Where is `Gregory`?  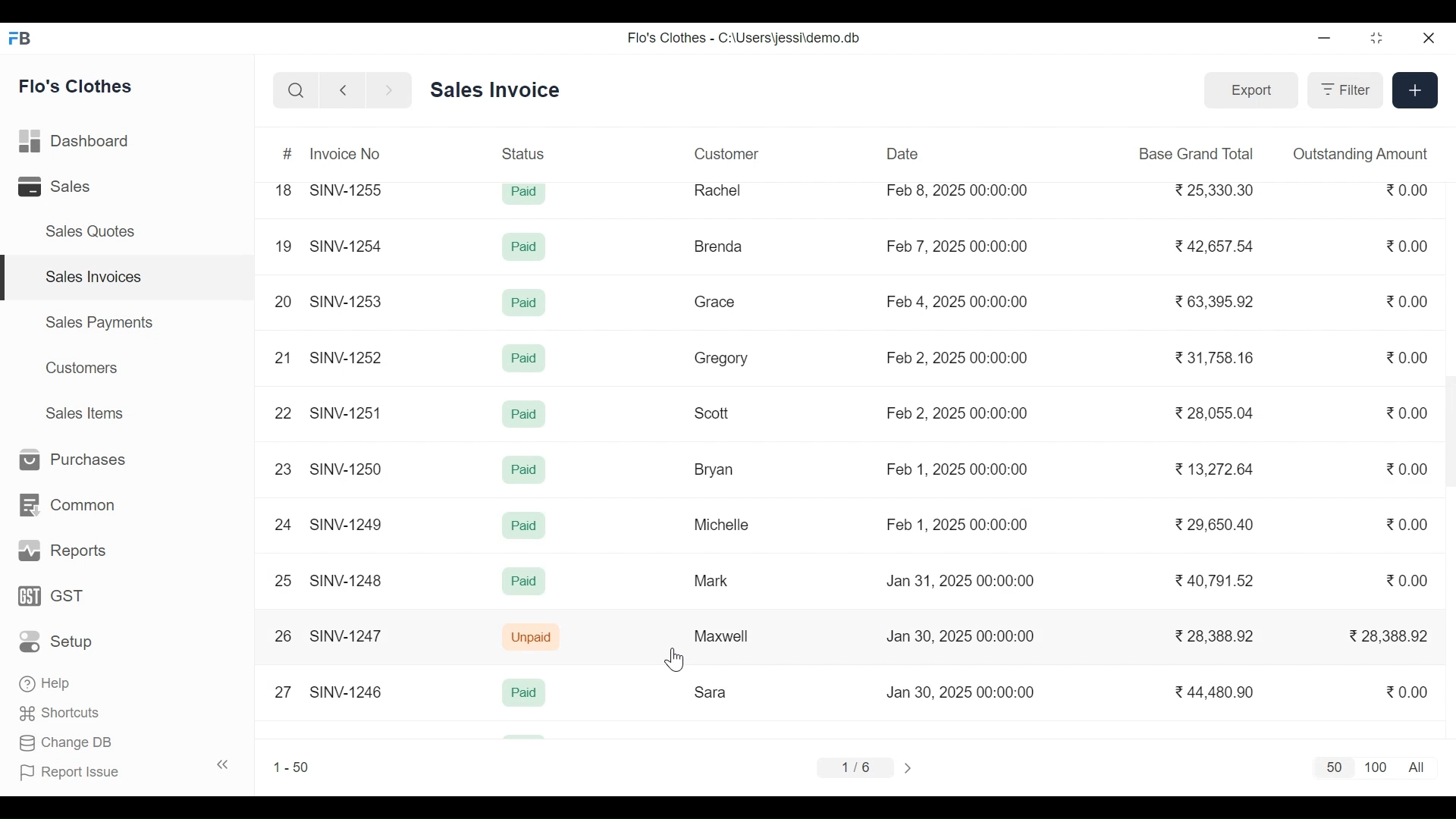
Gregory is located at coordinates (720, 359).